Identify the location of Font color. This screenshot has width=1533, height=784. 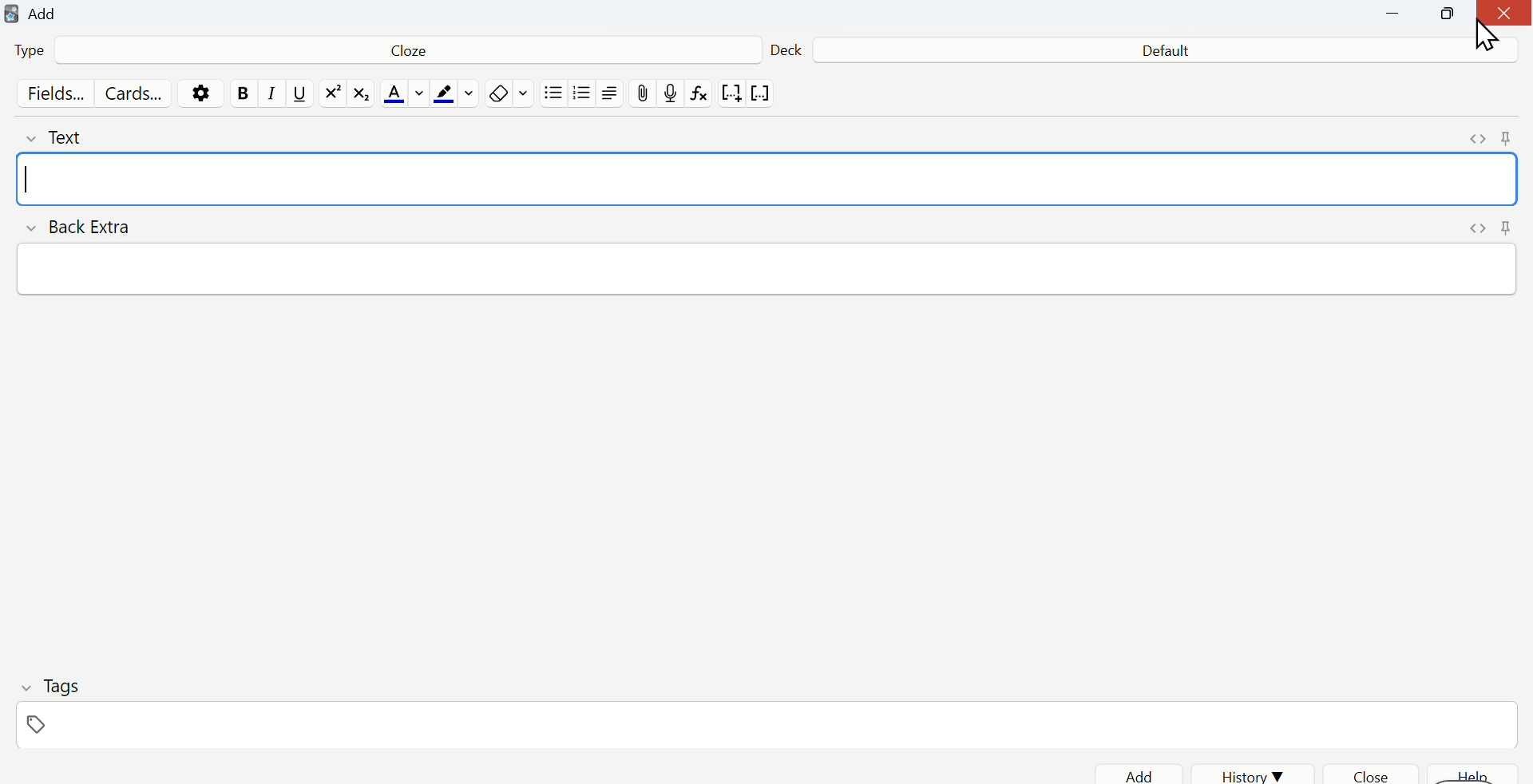
(401, 95).